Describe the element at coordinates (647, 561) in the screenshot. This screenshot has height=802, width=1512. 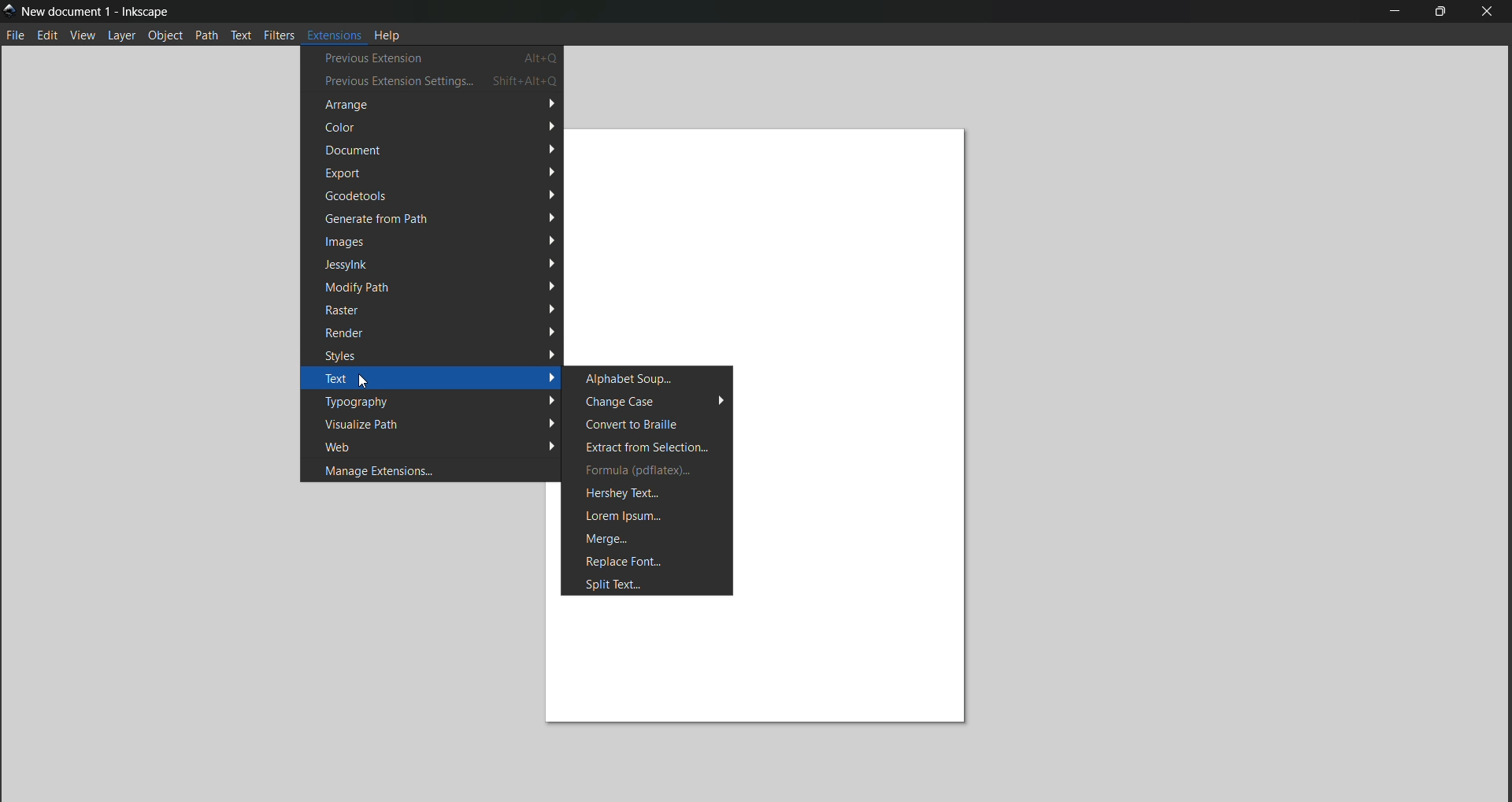
I see `Replace Font` at that location.